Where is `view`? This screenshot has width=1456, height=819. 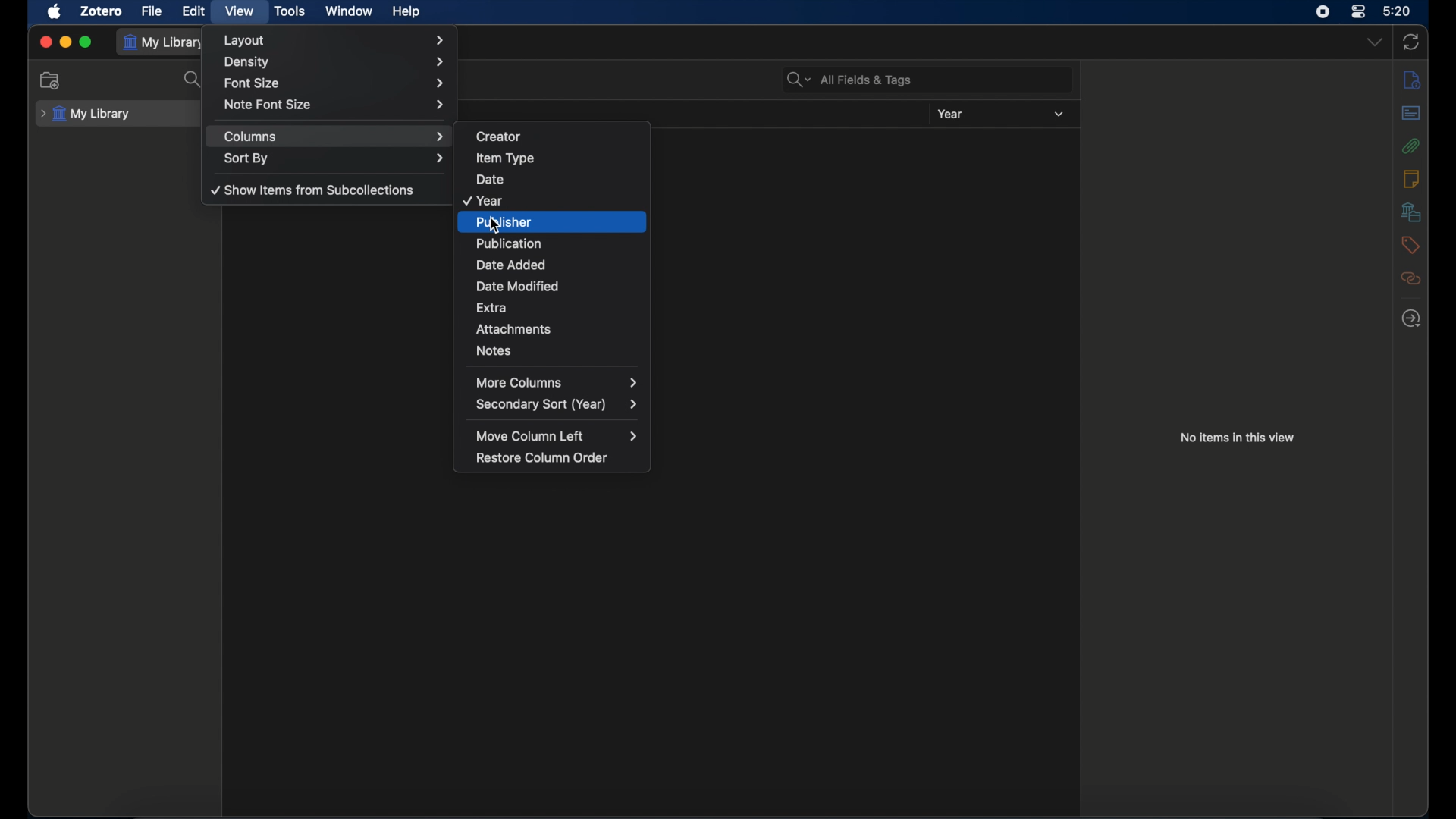 view is located at coordinates (240, 11).